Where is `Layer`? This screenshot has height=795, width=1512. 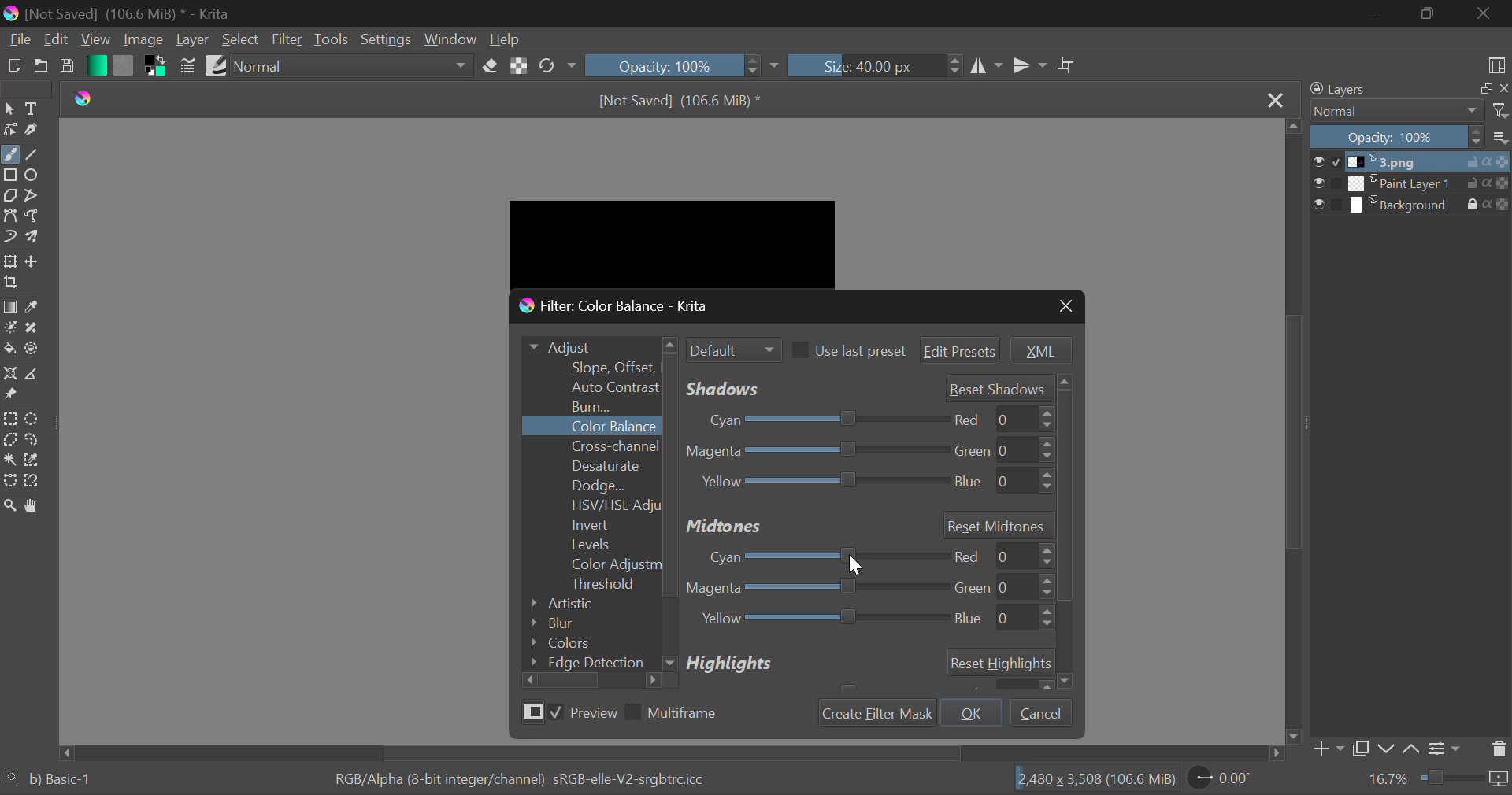 Layer is located at coordinates (193, 41).